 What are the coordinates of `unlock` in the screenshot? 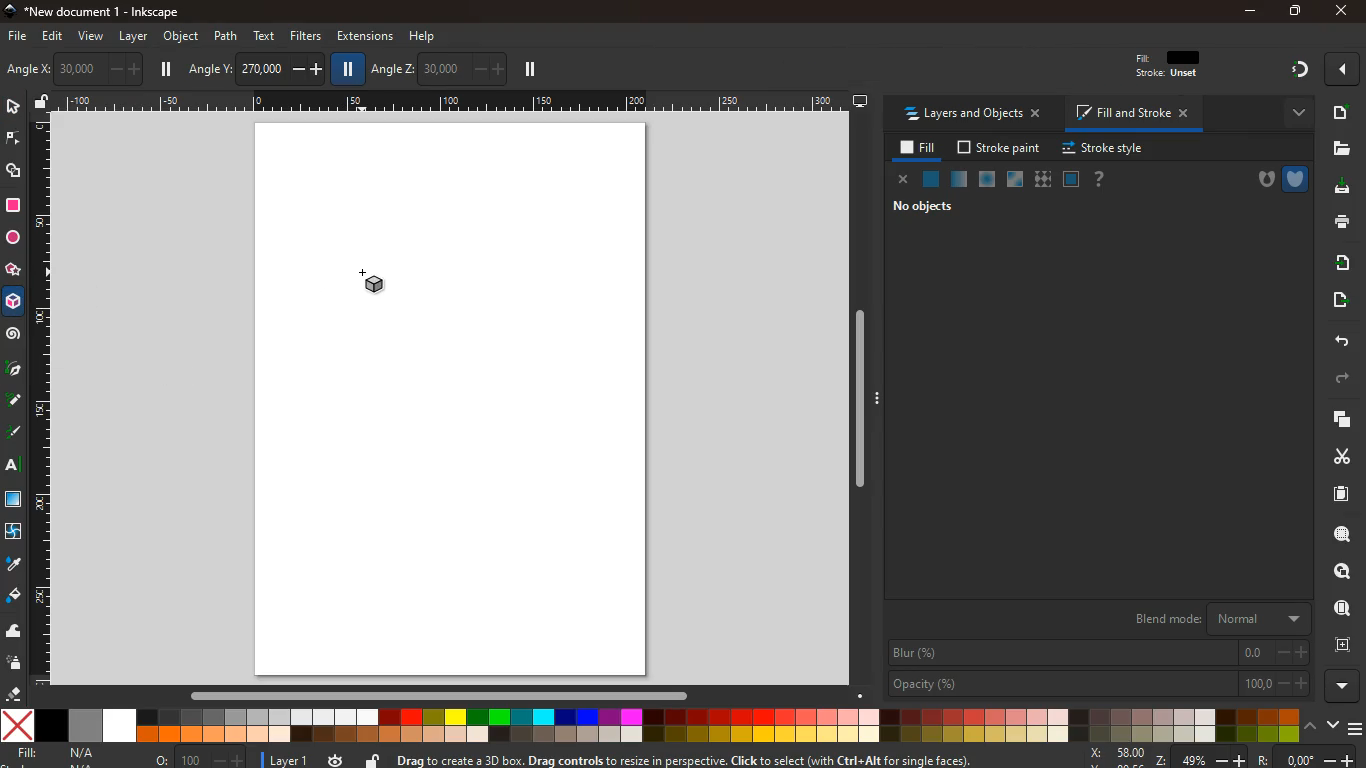 It's located at (42, 103).